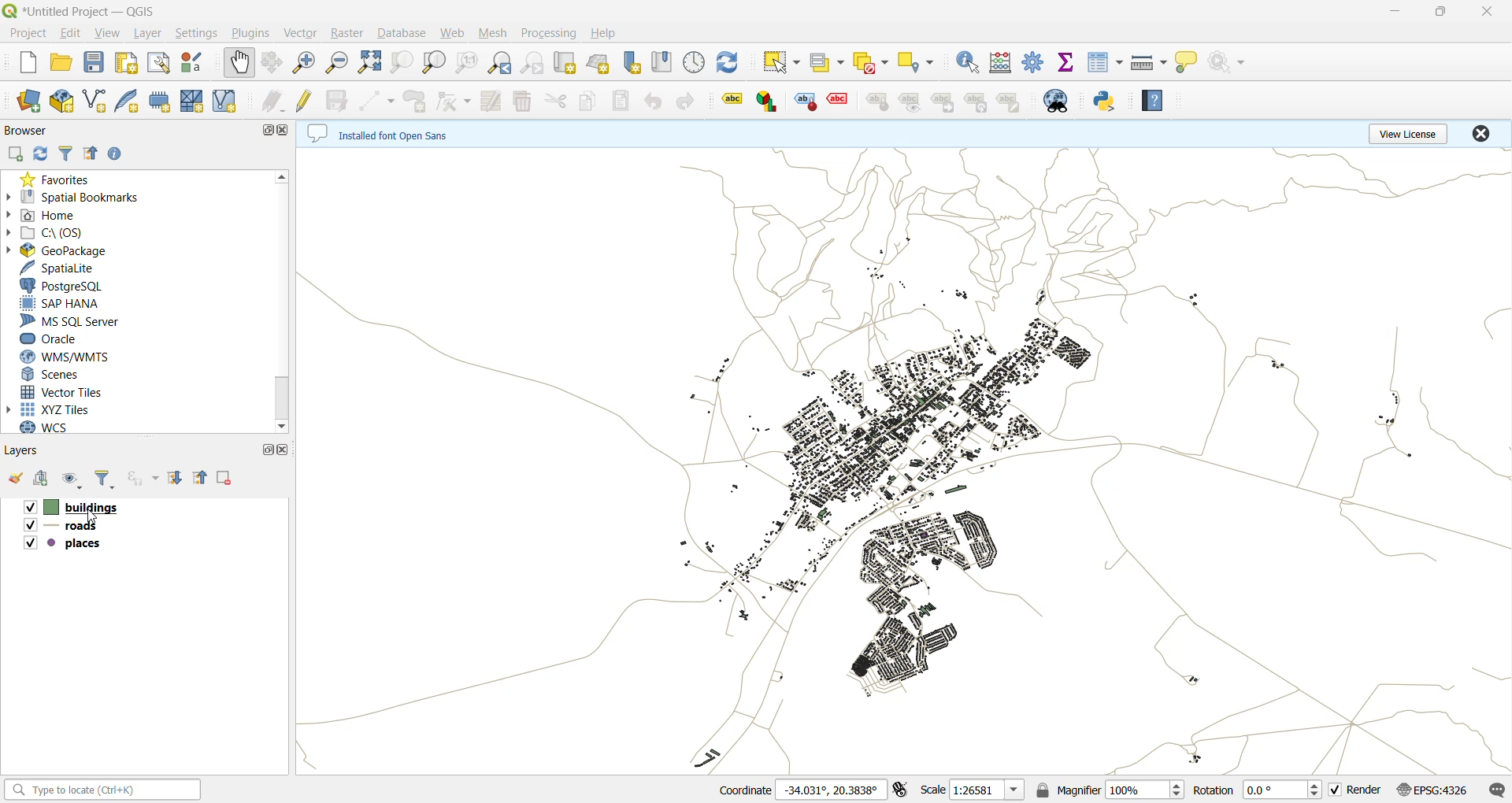  Describe the element at coordinates (176, 478) in the screenshot. I see `expand all` at that location.